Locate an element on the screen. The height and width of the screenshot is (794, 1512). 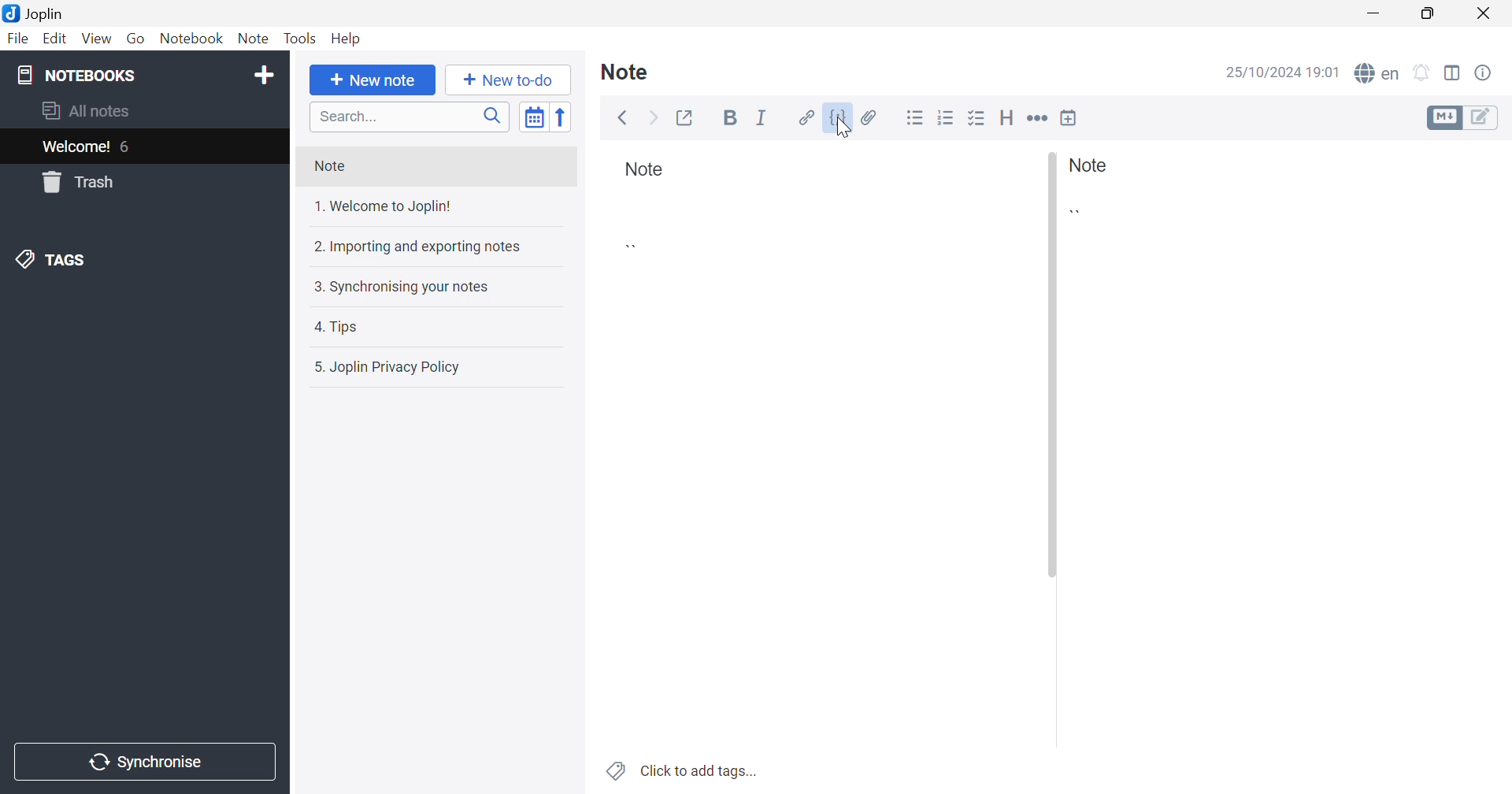
Minimize is located at coordinates (1377, 14).